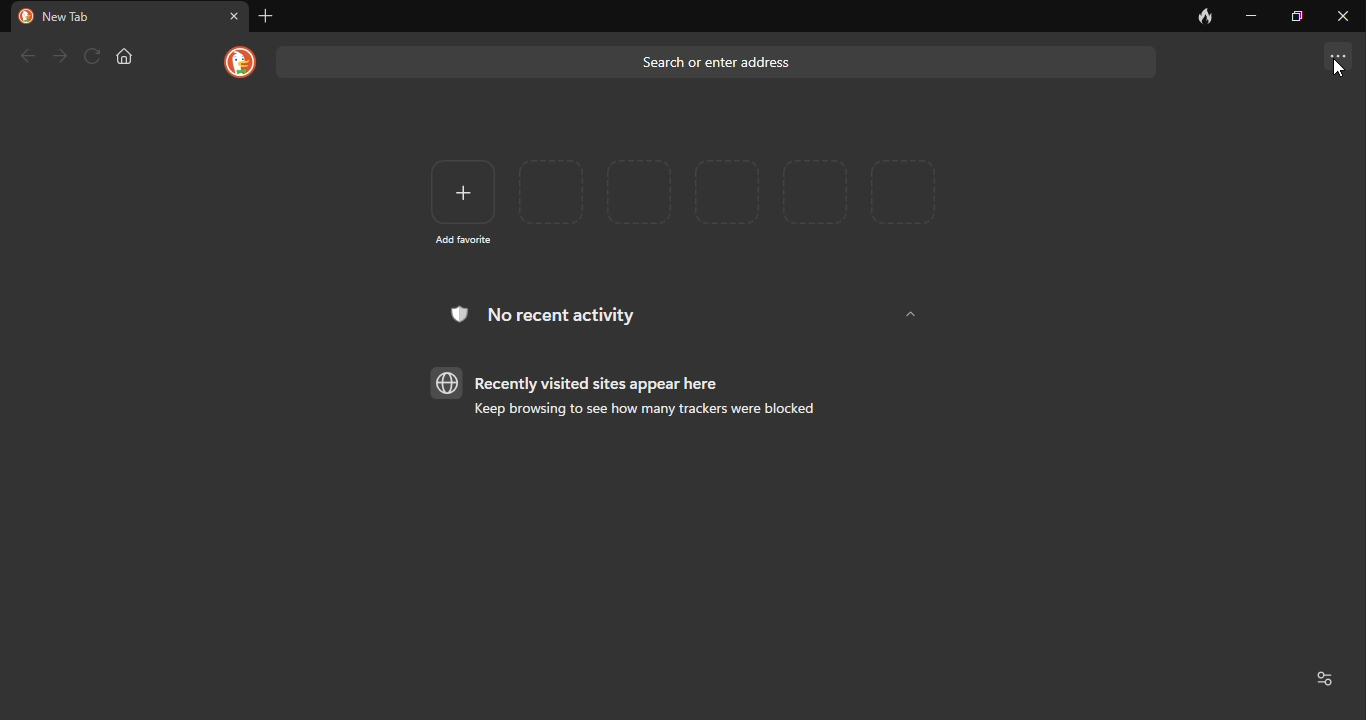 This screenshot has height=720, width=1366. I want to click on back, so click(26, 56).